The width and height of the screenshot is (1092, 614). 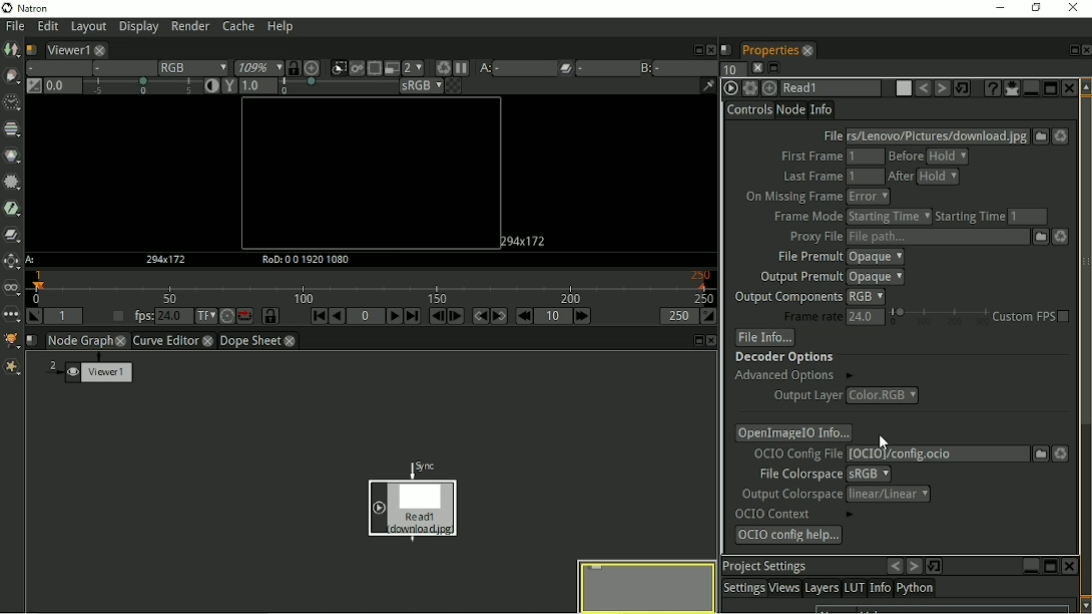 What do you see at coordinates (923, 88) in the screenshot?
I see `Undo` at bounding box center [923, 88].